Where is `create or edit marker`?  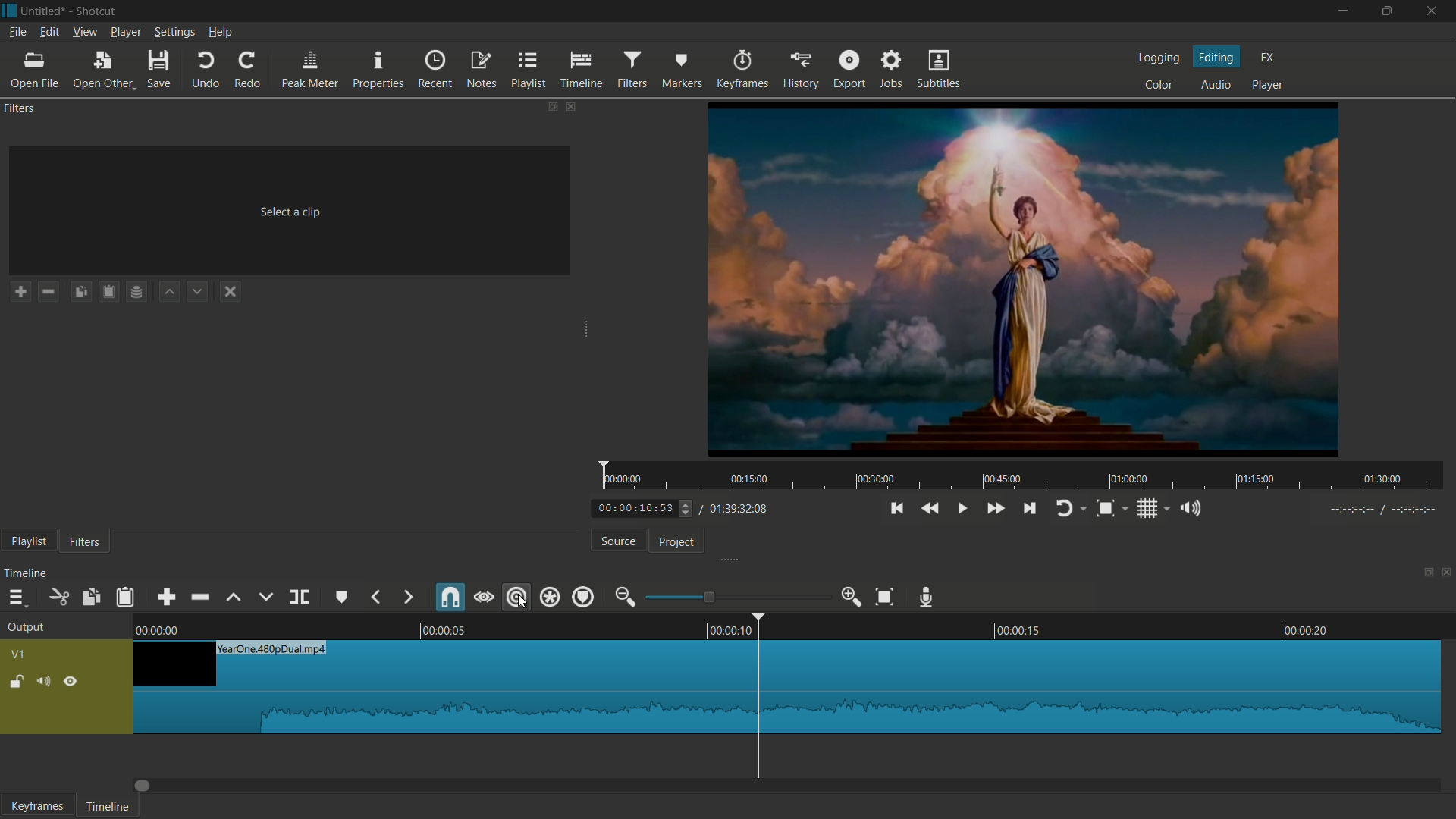 create or edit marker is located at coordinates (339, 597).